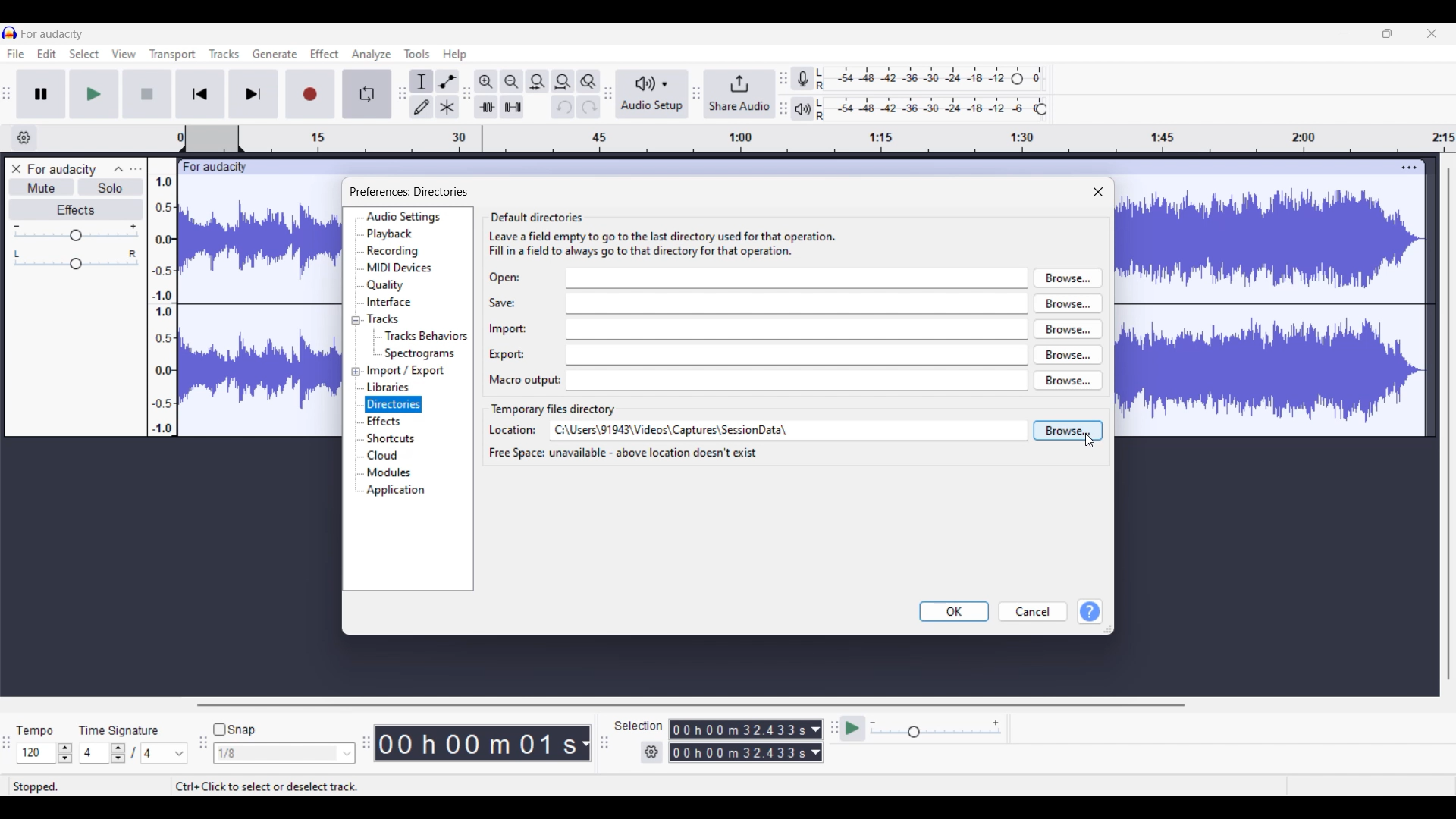 The width and height of the screenshot is (1456, 819). I want to click on Scale to measure track intensity, so click(162, 305).